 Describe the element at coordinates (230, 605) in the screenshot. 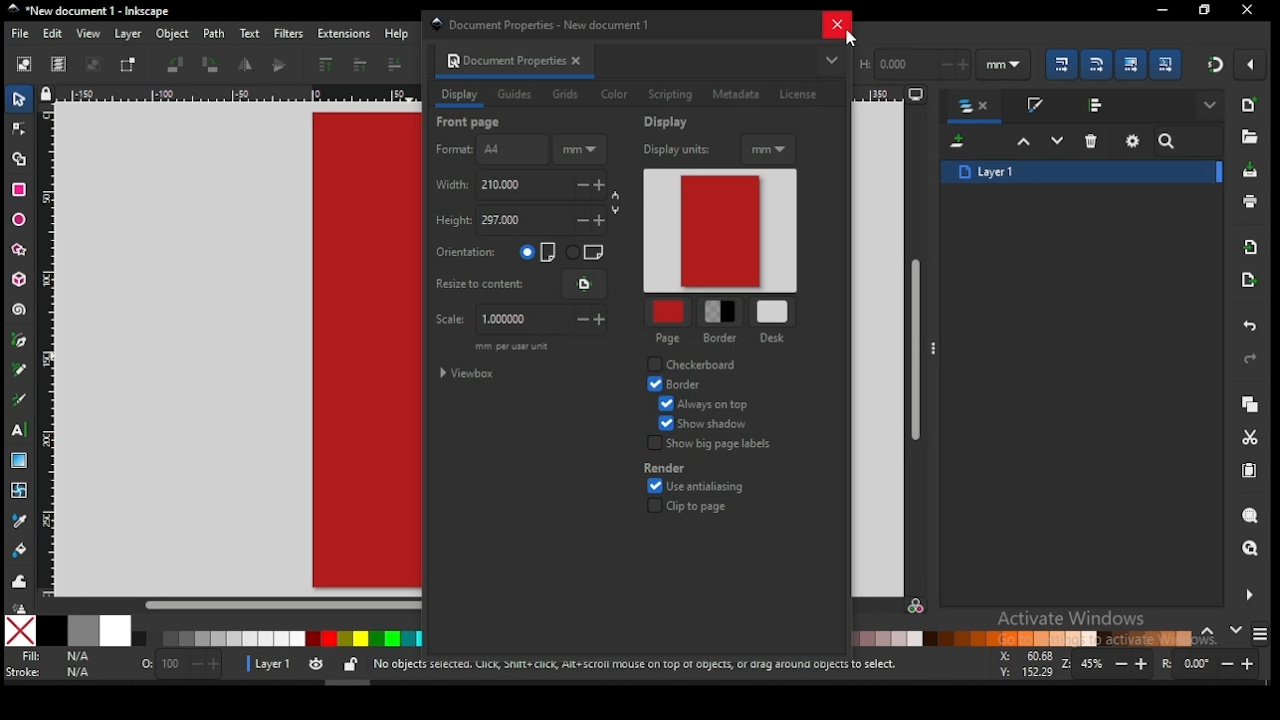

I see `scroll bar` at that location.